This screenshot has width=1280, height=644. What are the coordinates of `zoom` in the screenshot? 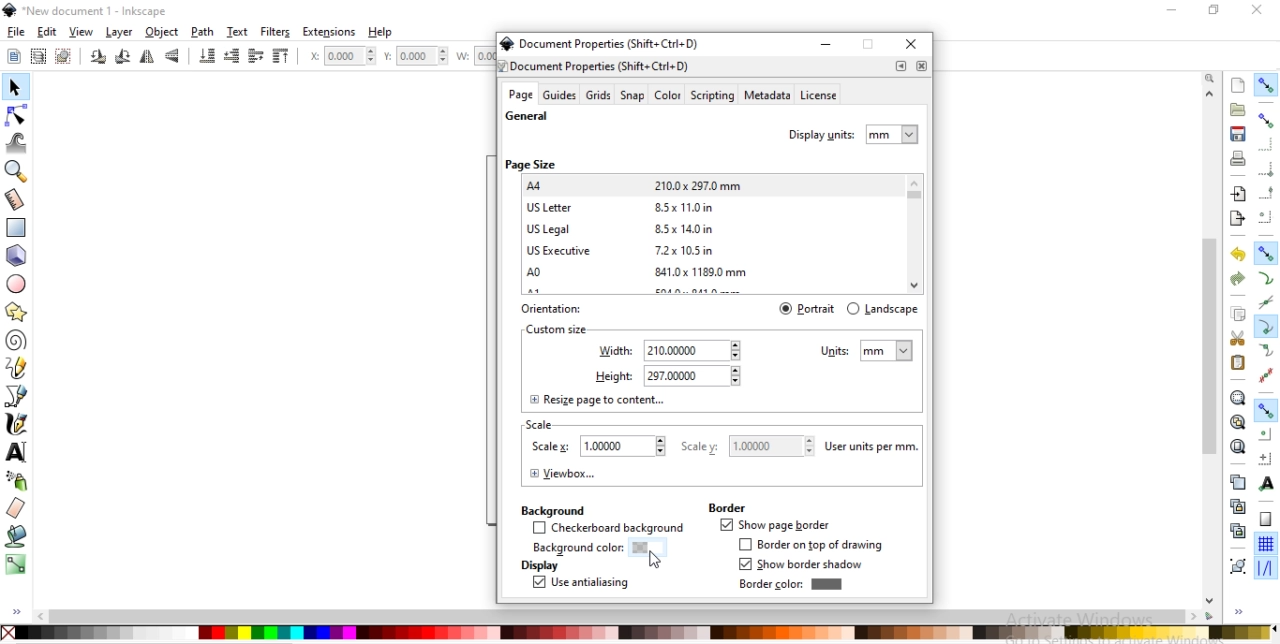 It's located at (1212, 77).